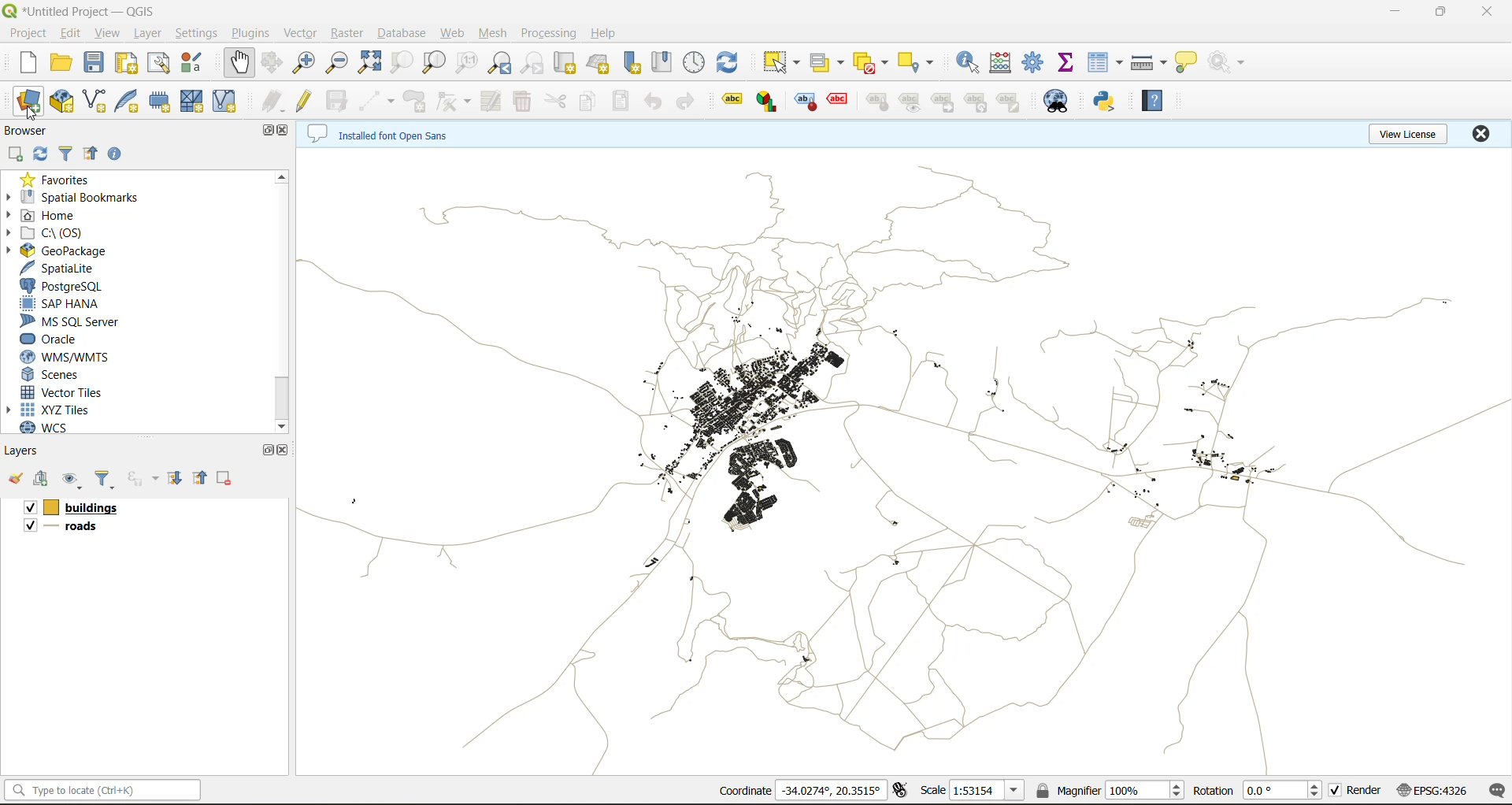  What do you see at coordinates (130, 65) in the screenshot?
I see `print layout` at bounding box center [130, 65].